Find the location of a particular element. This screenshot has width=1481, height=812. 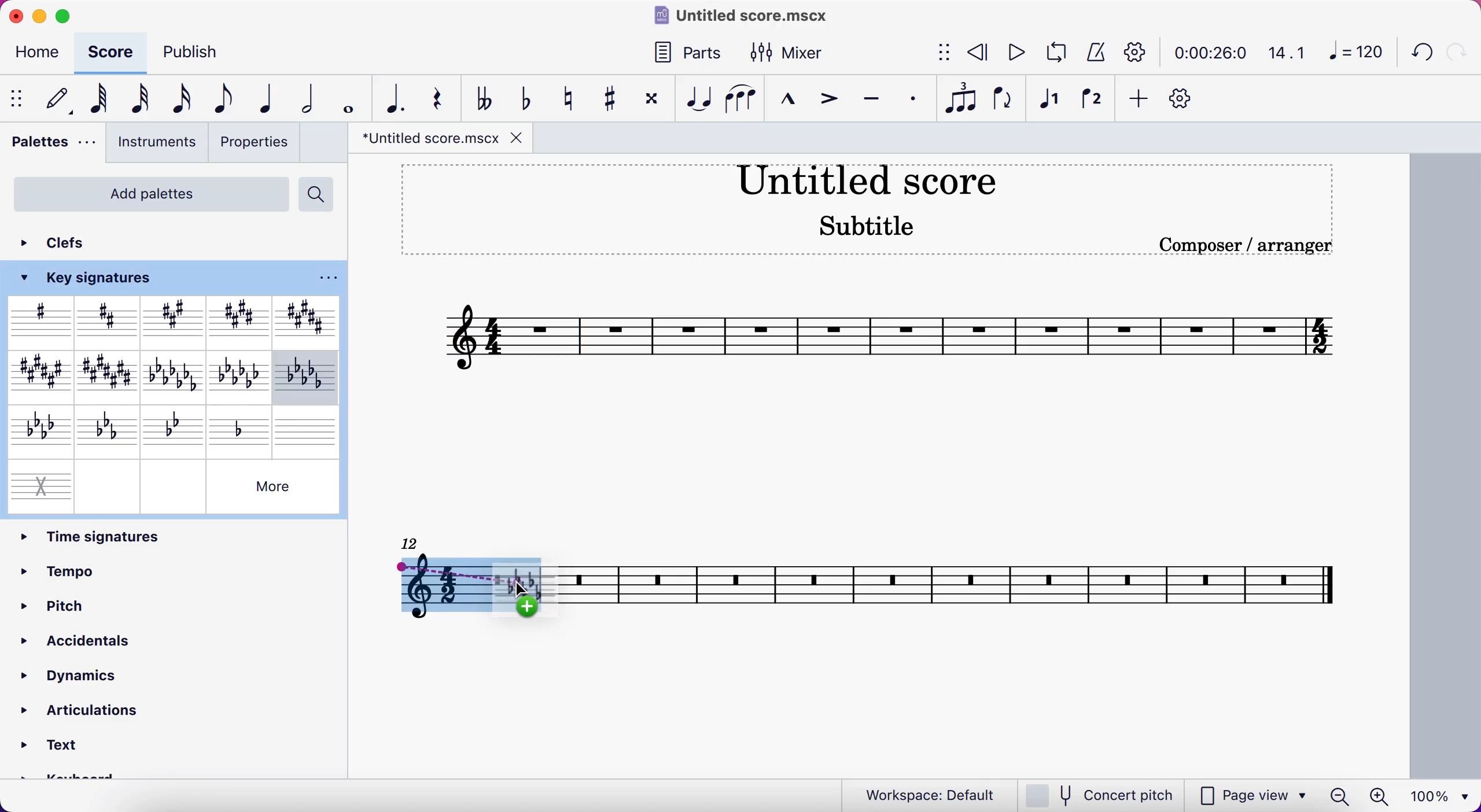

redo is located at coordinates (1457, 53).